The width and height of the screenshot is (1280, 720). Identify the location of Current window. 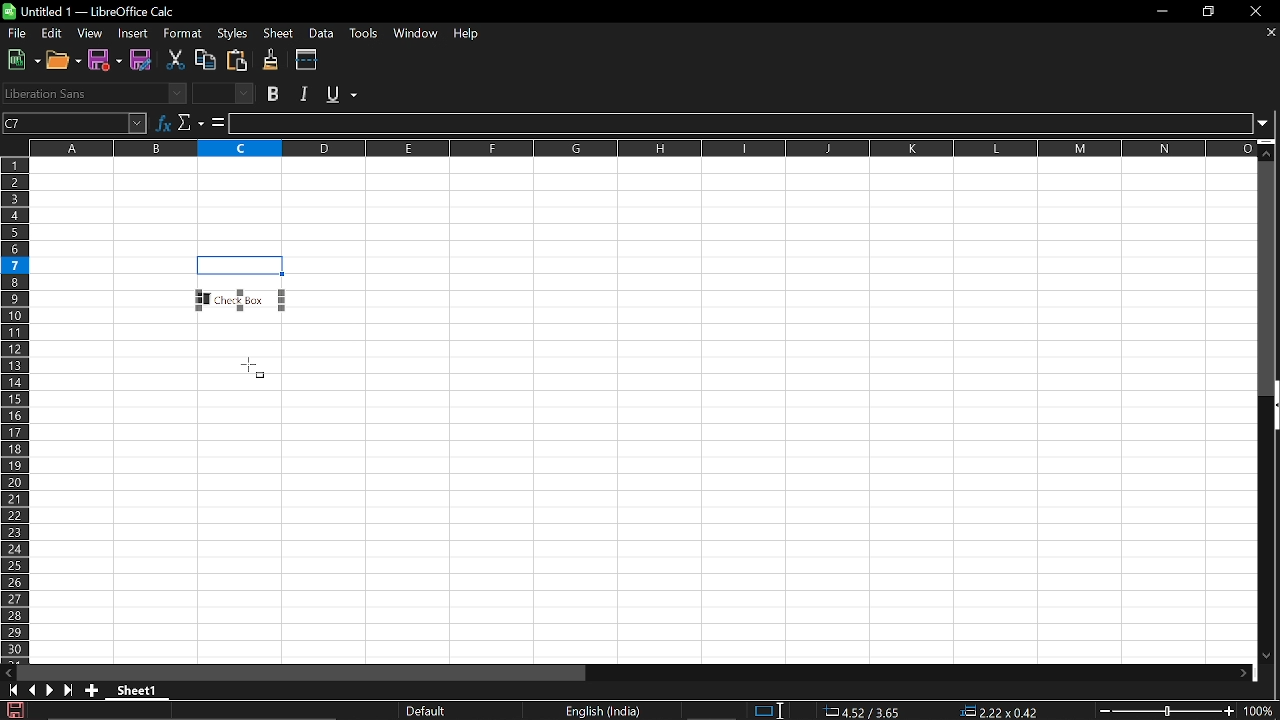
(93, 11).